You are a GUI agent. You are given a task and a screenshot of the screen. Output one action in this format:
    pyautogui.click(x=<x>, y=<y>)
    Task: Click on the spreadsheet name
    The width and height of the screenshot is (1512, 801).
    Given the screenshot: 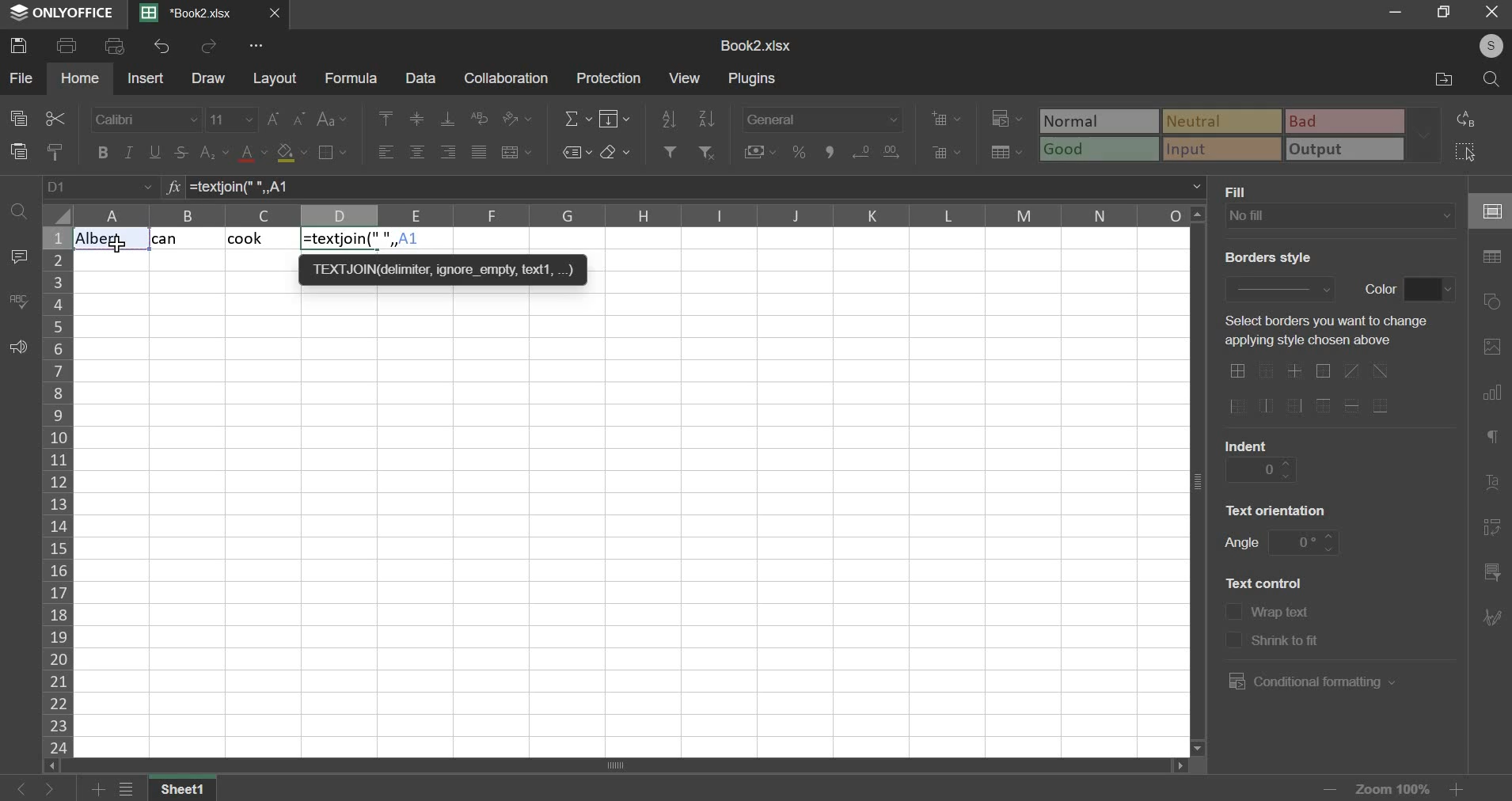 What is the action you would take?
    pyautogui.click(x=755, y=46)
    